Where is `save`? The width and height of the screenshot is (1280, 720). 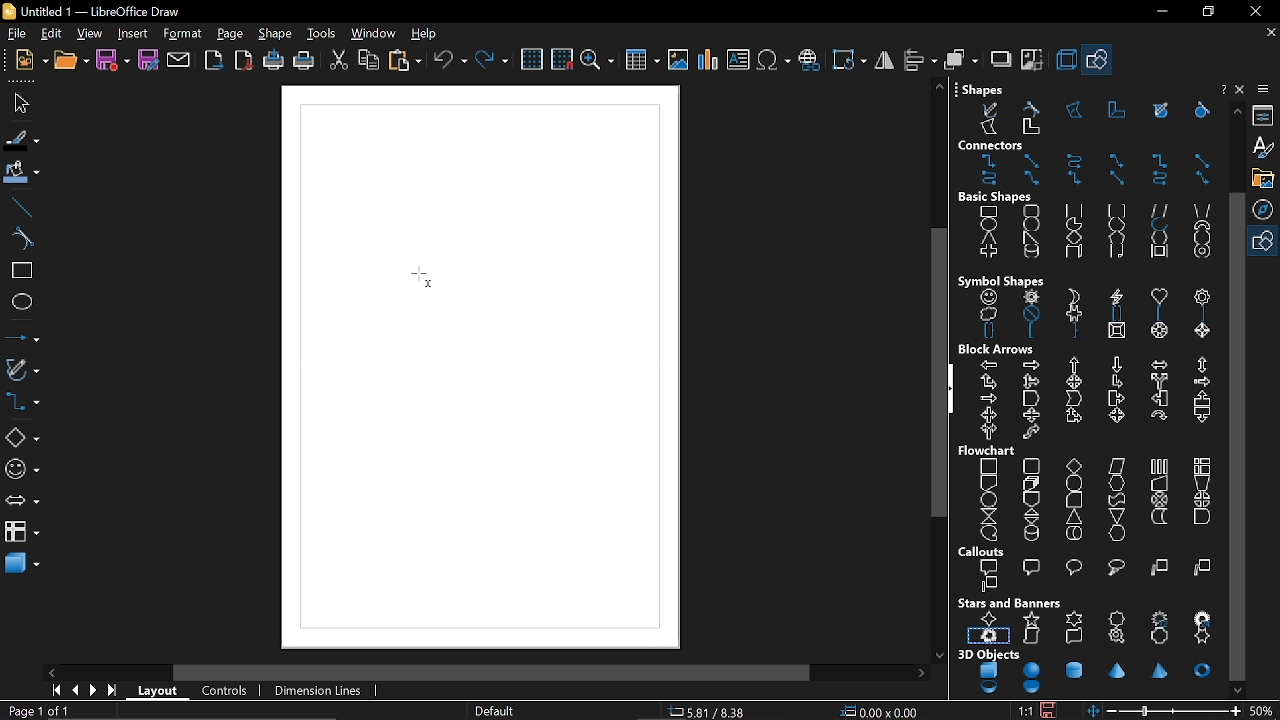 save is located at coordinates (114, 59).